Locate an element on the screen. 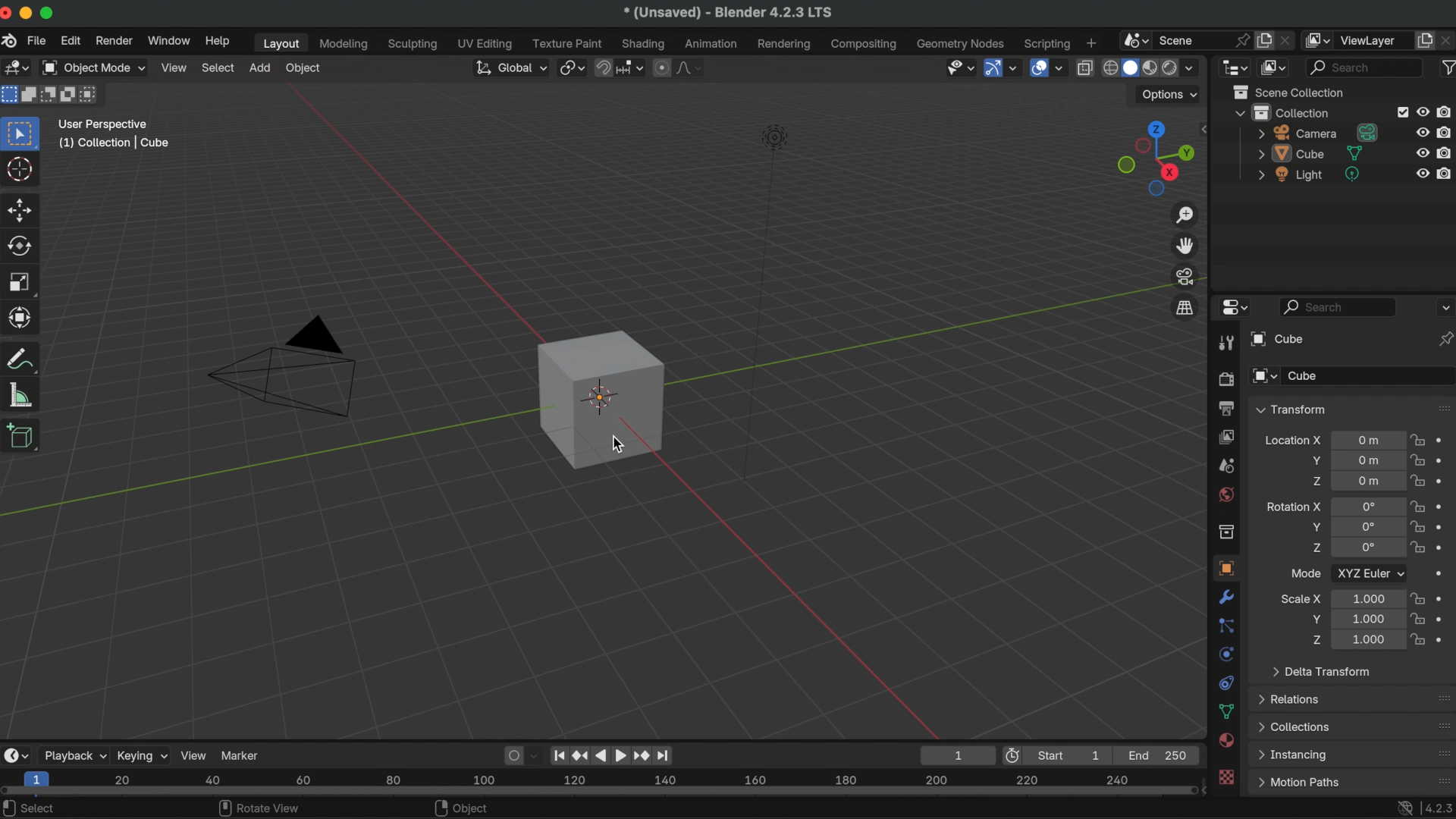 The height and width of the screenshot is (819, 1456). help is located at coordinates (217, 41).